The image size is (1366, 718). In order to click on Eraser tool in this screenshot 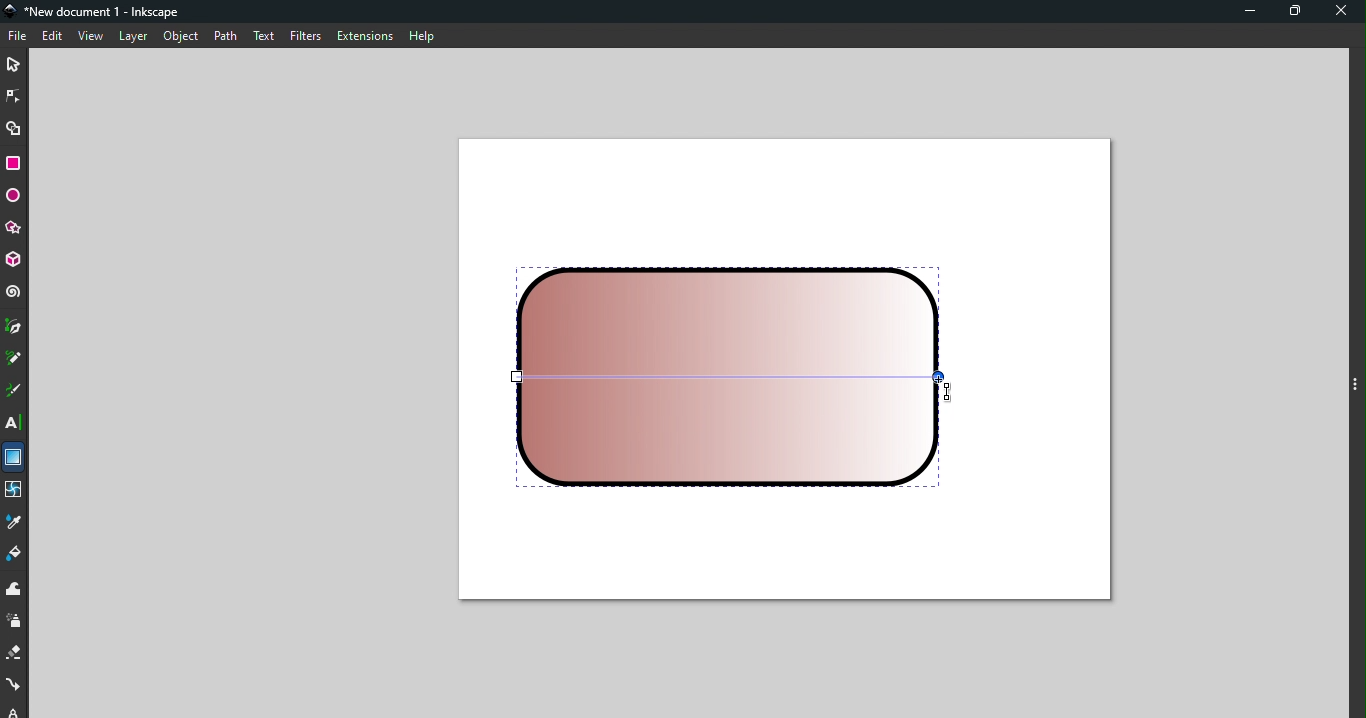, I will do `click(15, 654)`.